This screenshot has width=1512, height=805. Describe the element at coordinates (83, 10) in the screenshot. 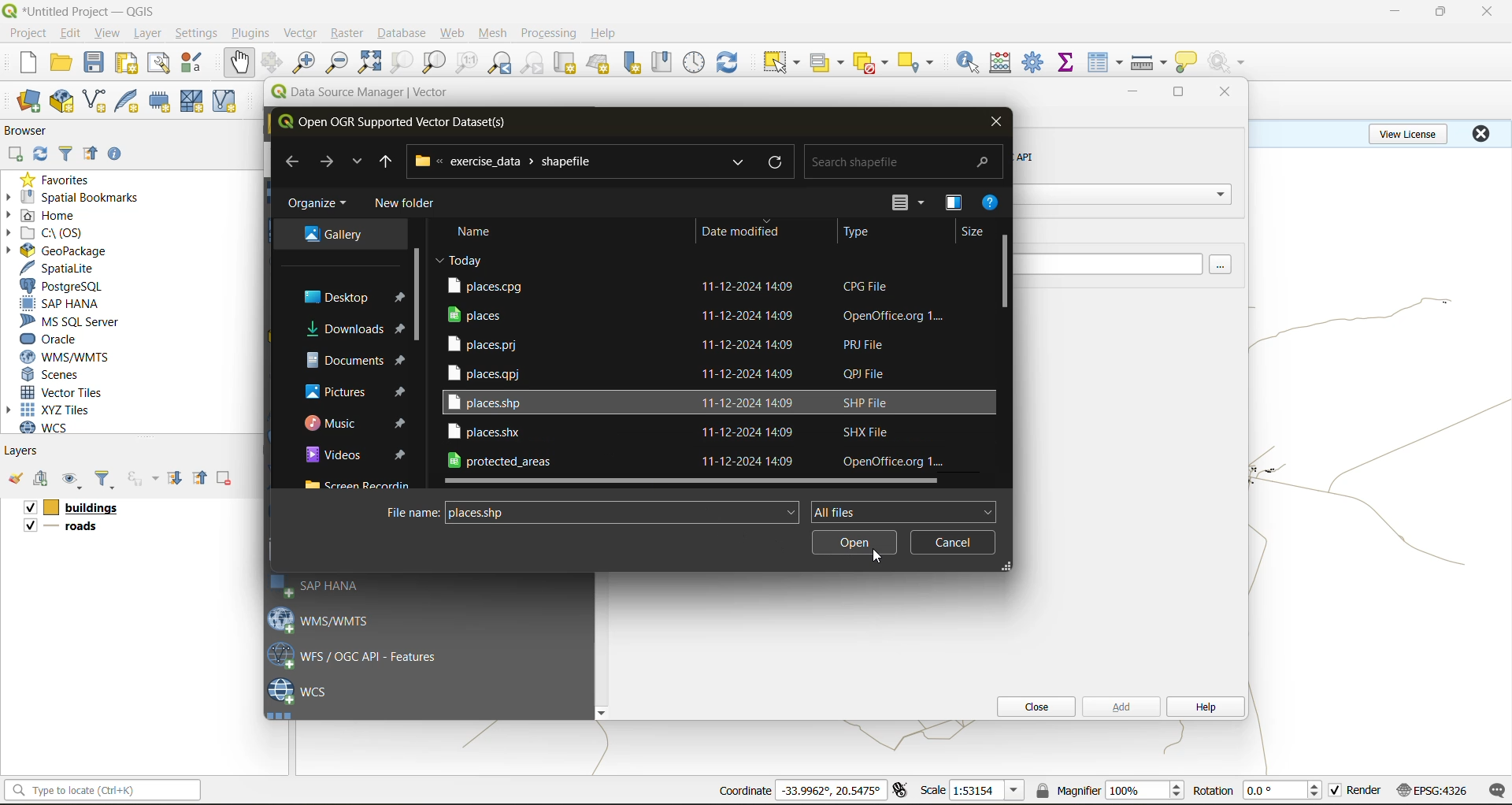

I see `file name and app name` at that location.